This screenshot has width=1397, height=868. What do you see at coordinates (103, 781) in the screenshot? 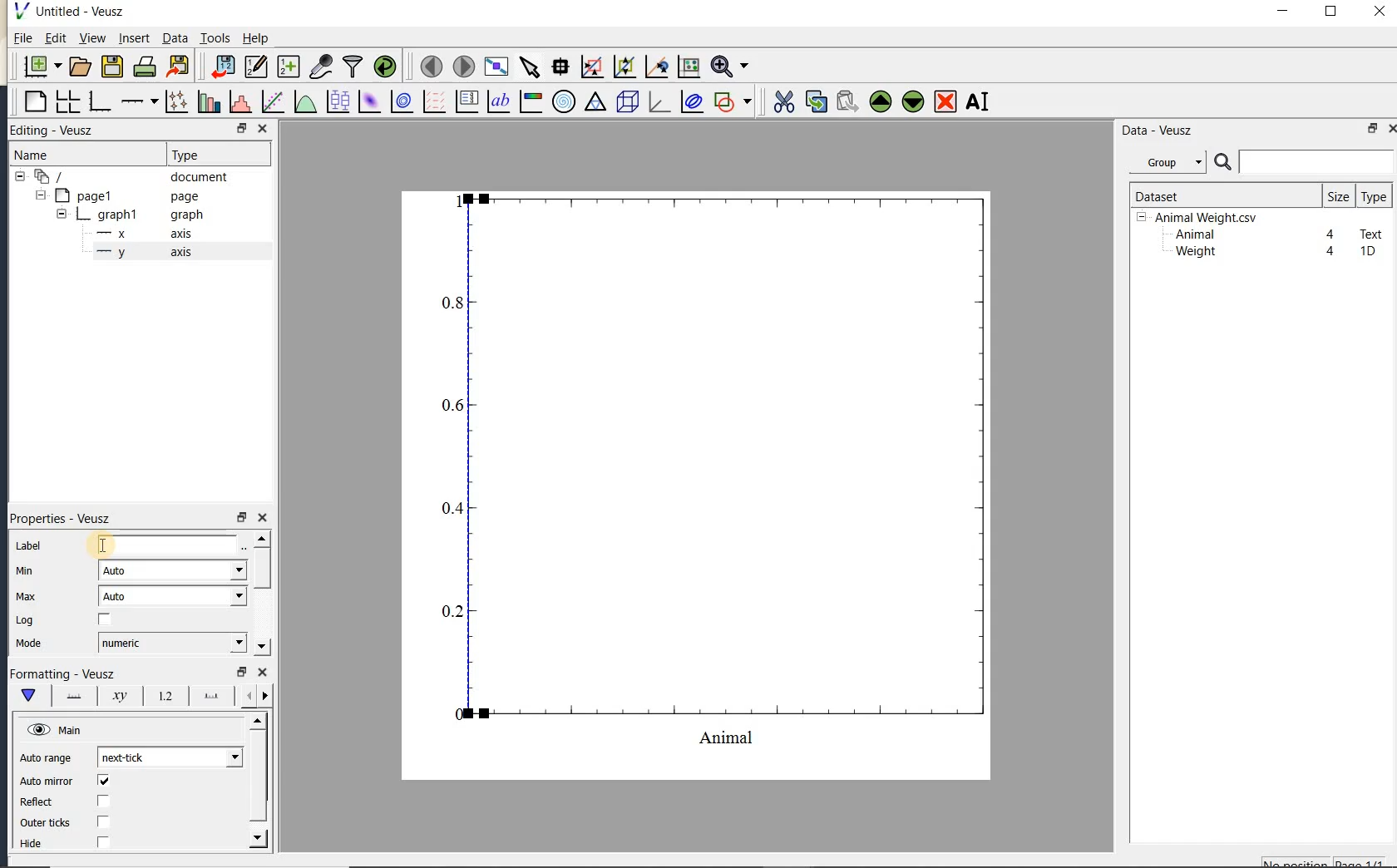
I see `check/uncheck` at bounding box center [103, 781].